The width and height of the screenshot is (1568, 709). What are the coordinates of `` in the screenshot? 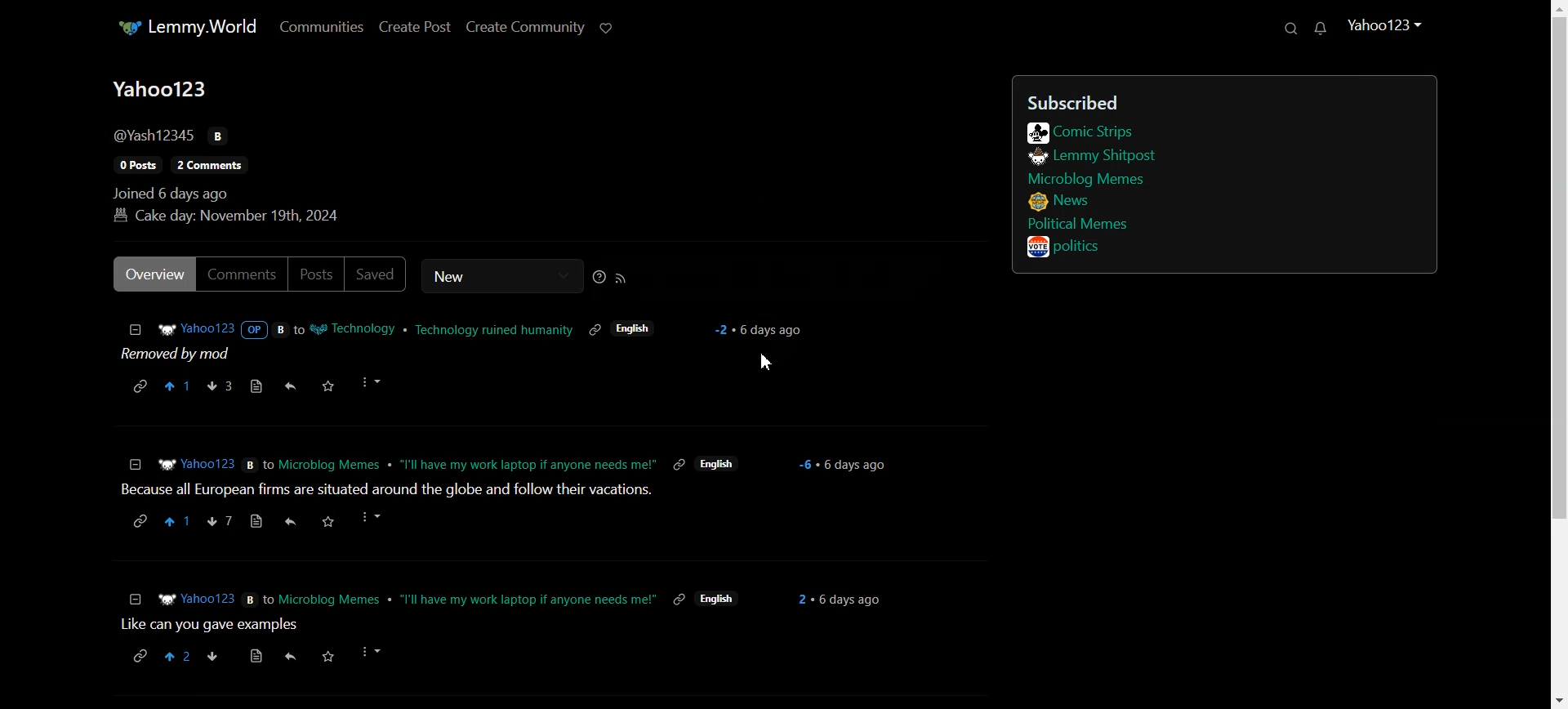 It's located at (292, 522).